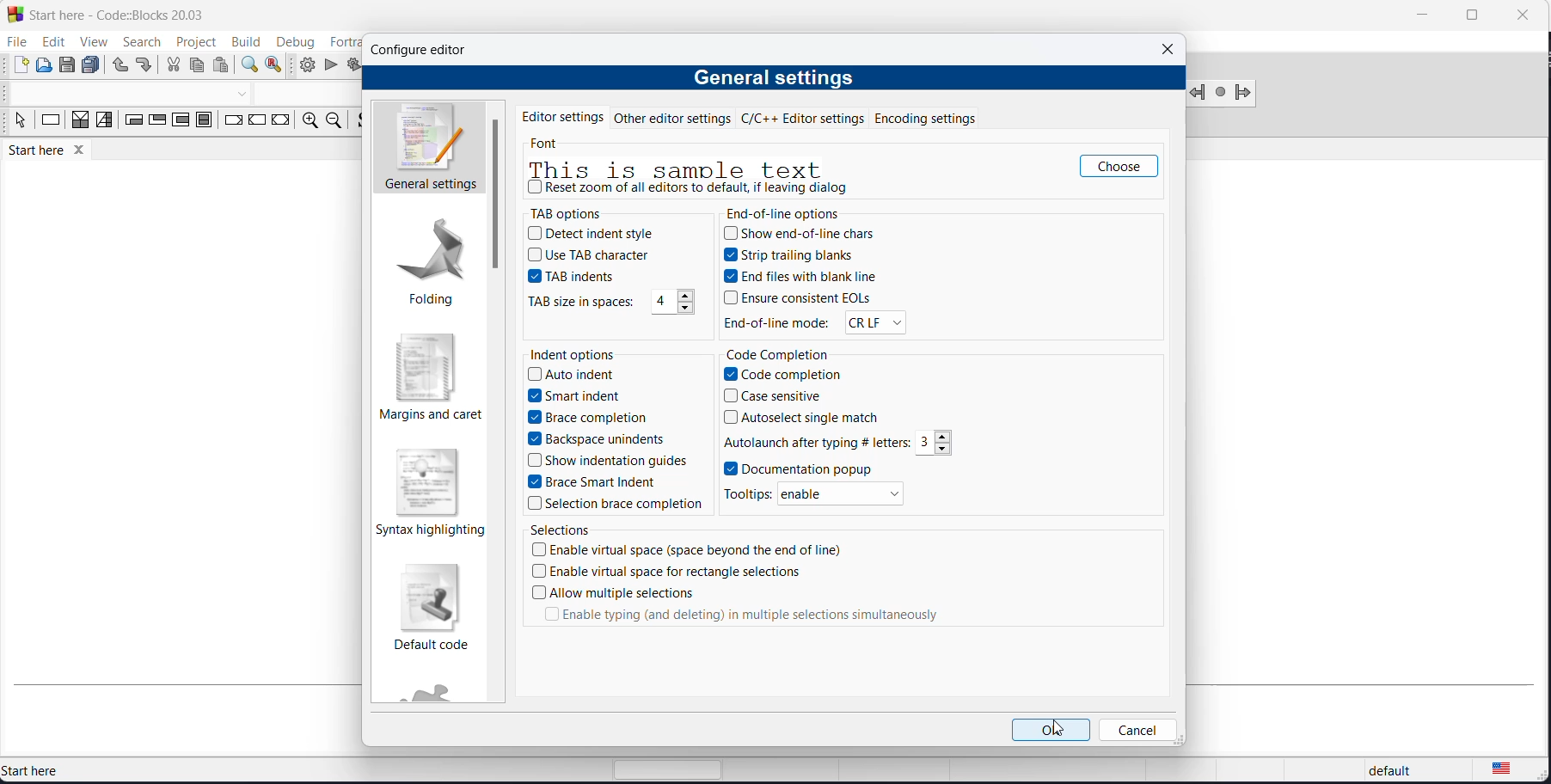  What do you see at coordinates (50, 42) in the screenshot?
I see `edit` at bounding box center [50, 42].